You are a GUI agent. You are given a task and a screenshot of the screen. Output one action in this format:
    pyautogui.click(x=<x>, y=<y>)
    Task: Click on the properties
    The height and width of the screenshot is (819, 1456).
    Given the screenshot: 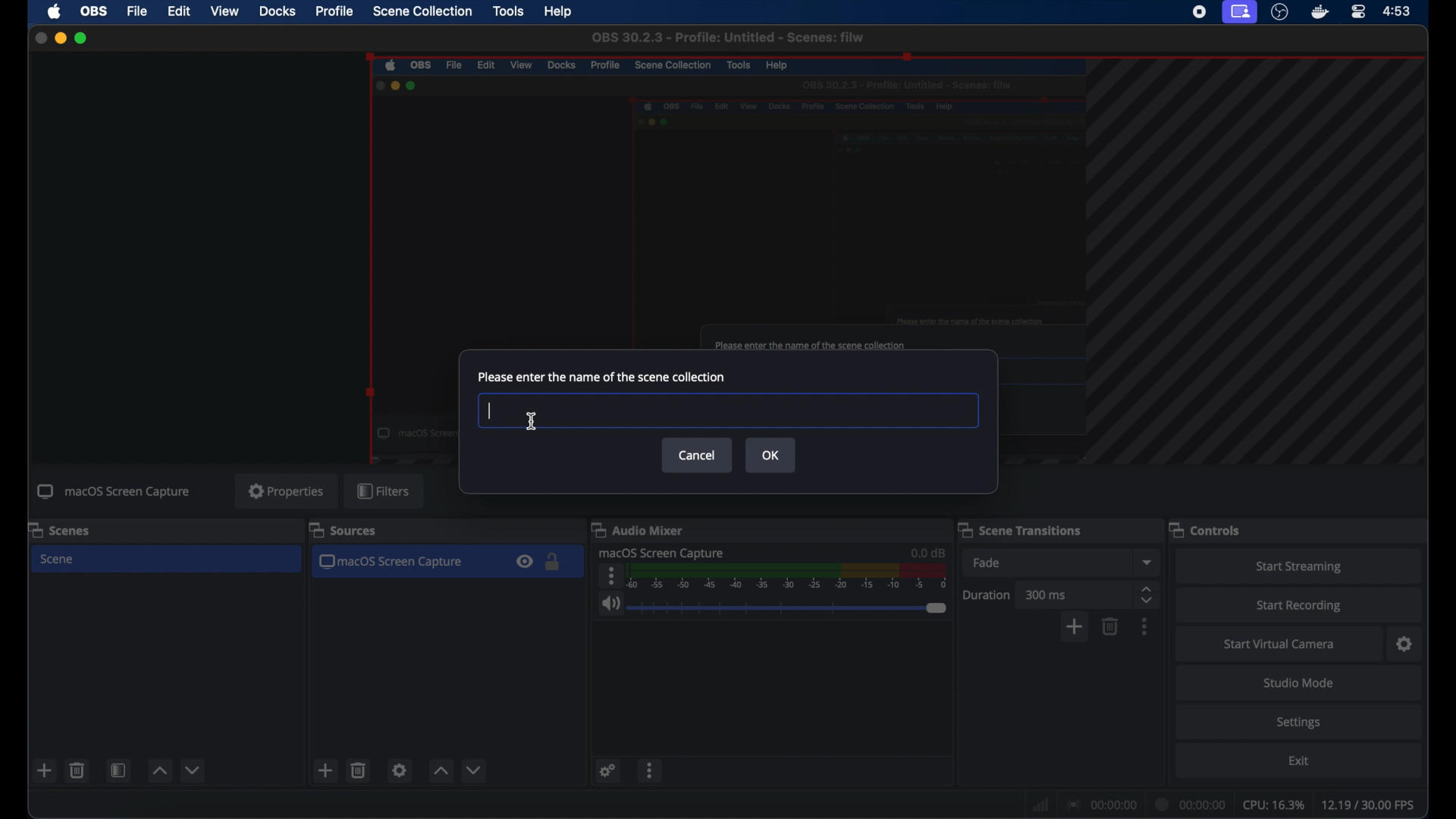 What is the action you would take?
    pyautogui.click(x=286, y=491)
    